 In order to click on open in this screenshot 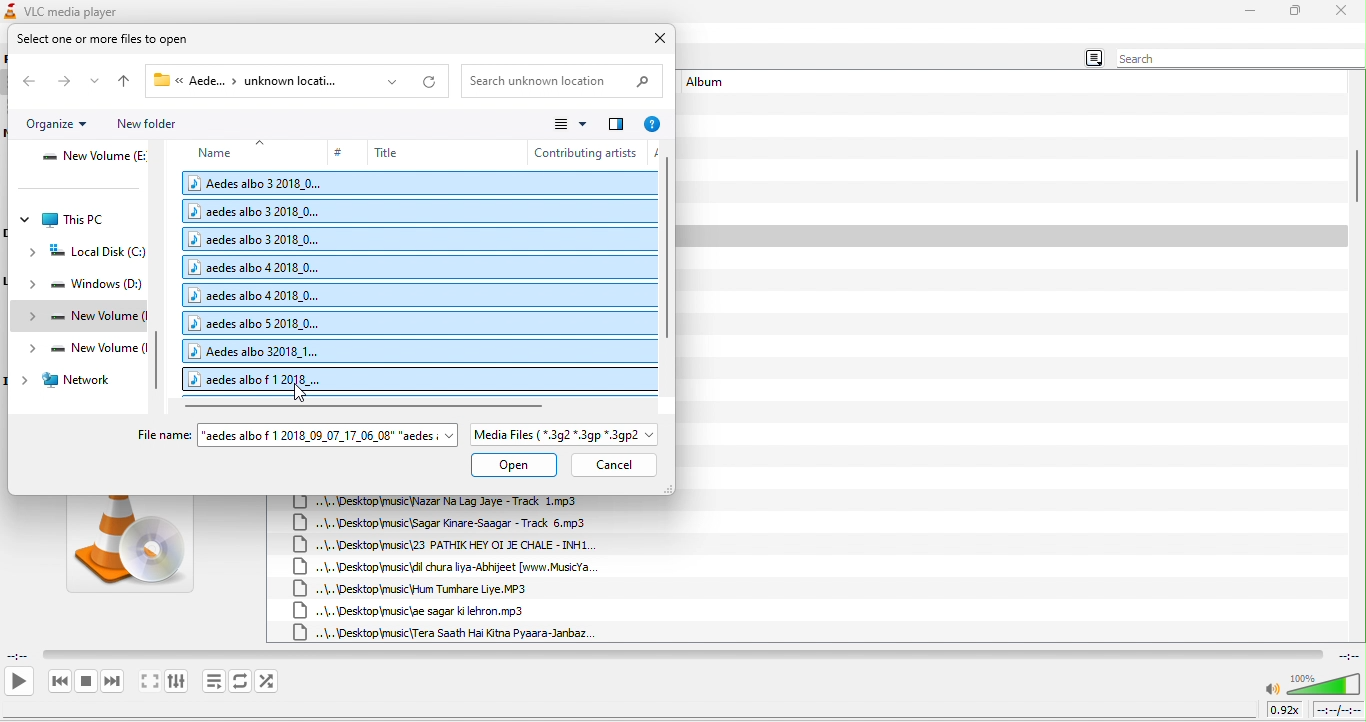, I will do `click(514, 466)`.